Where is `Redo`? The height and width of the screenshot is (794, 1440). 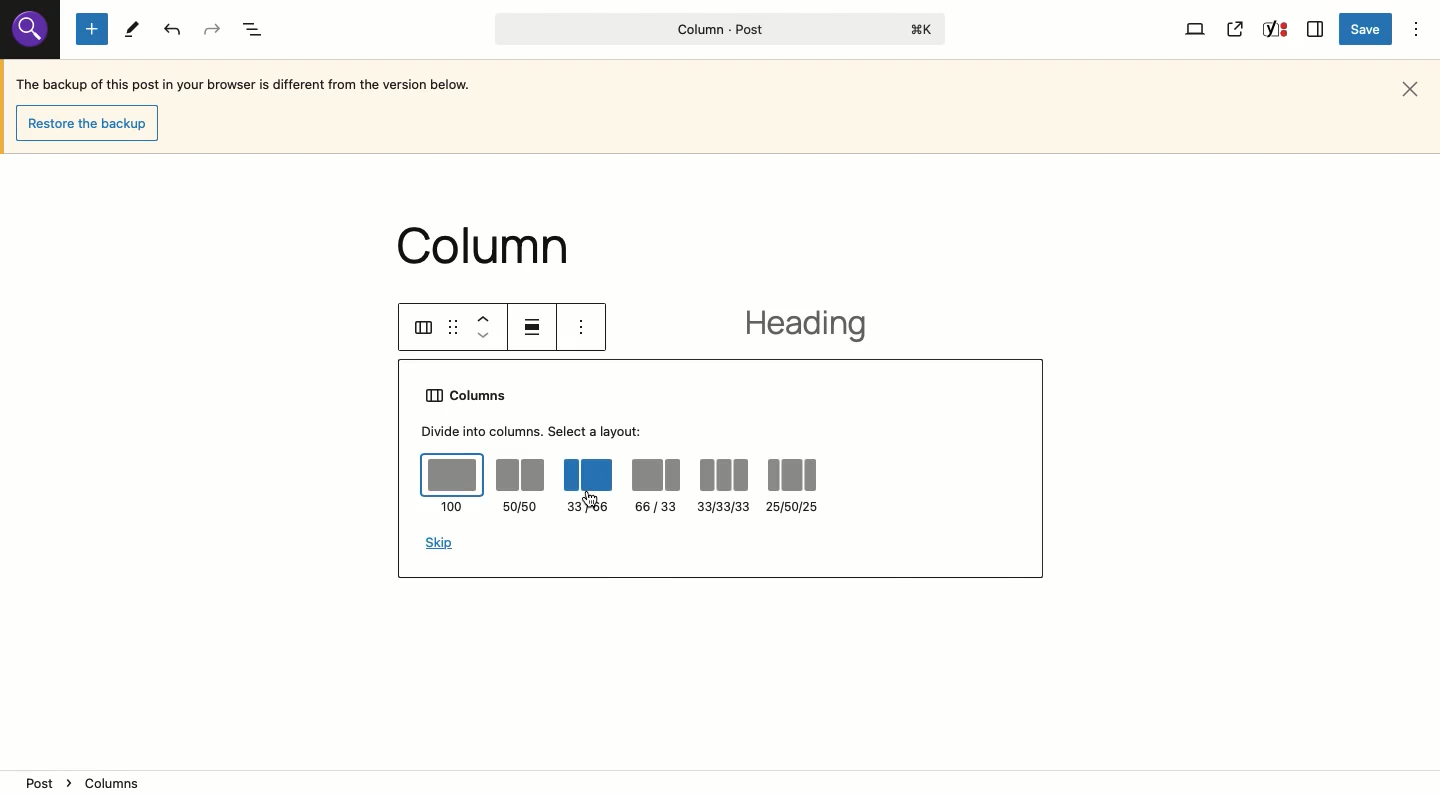
Redo is located at coordinates (213, 30).